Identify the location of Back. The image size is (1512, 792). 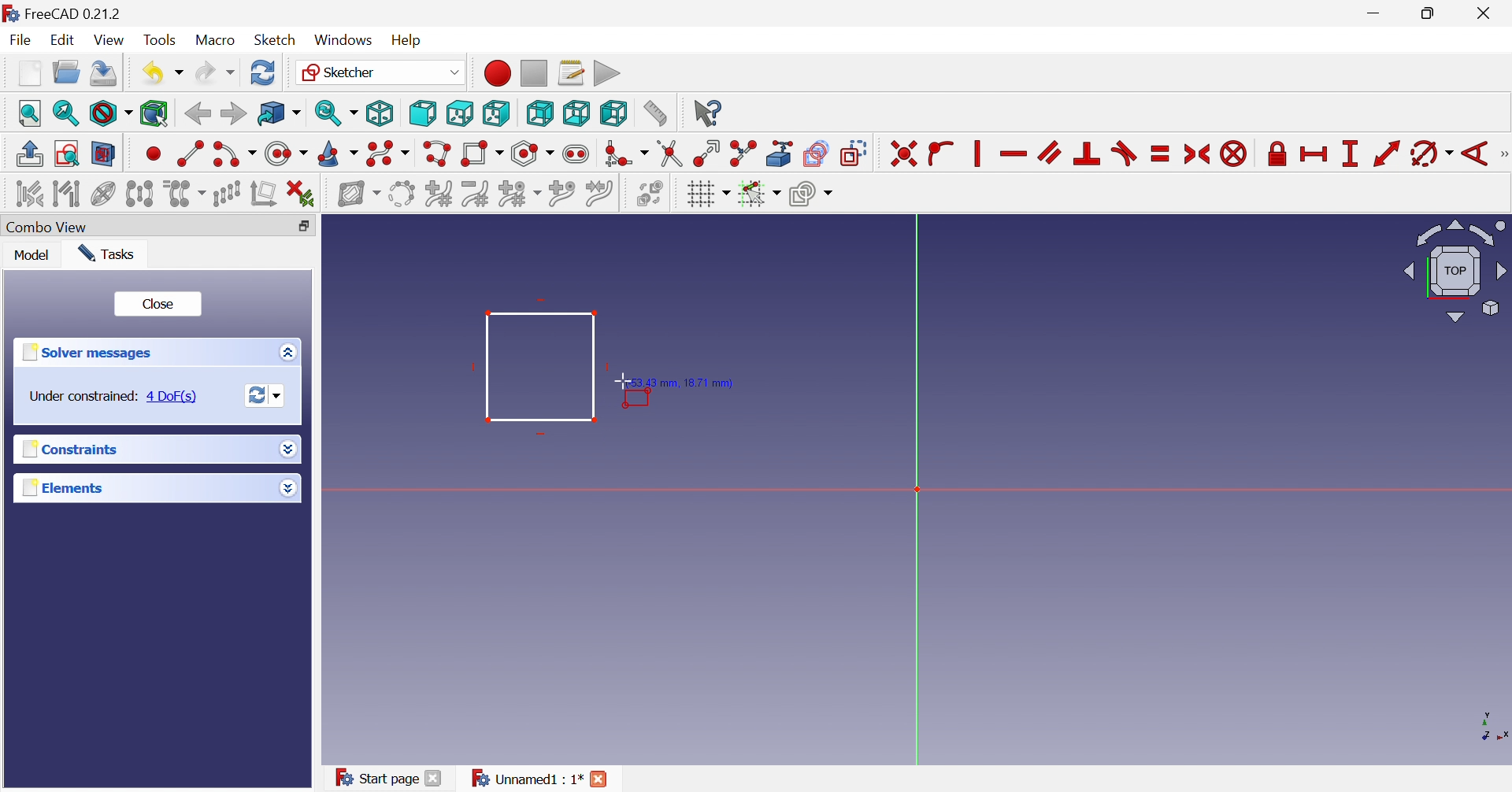
(197, 114).